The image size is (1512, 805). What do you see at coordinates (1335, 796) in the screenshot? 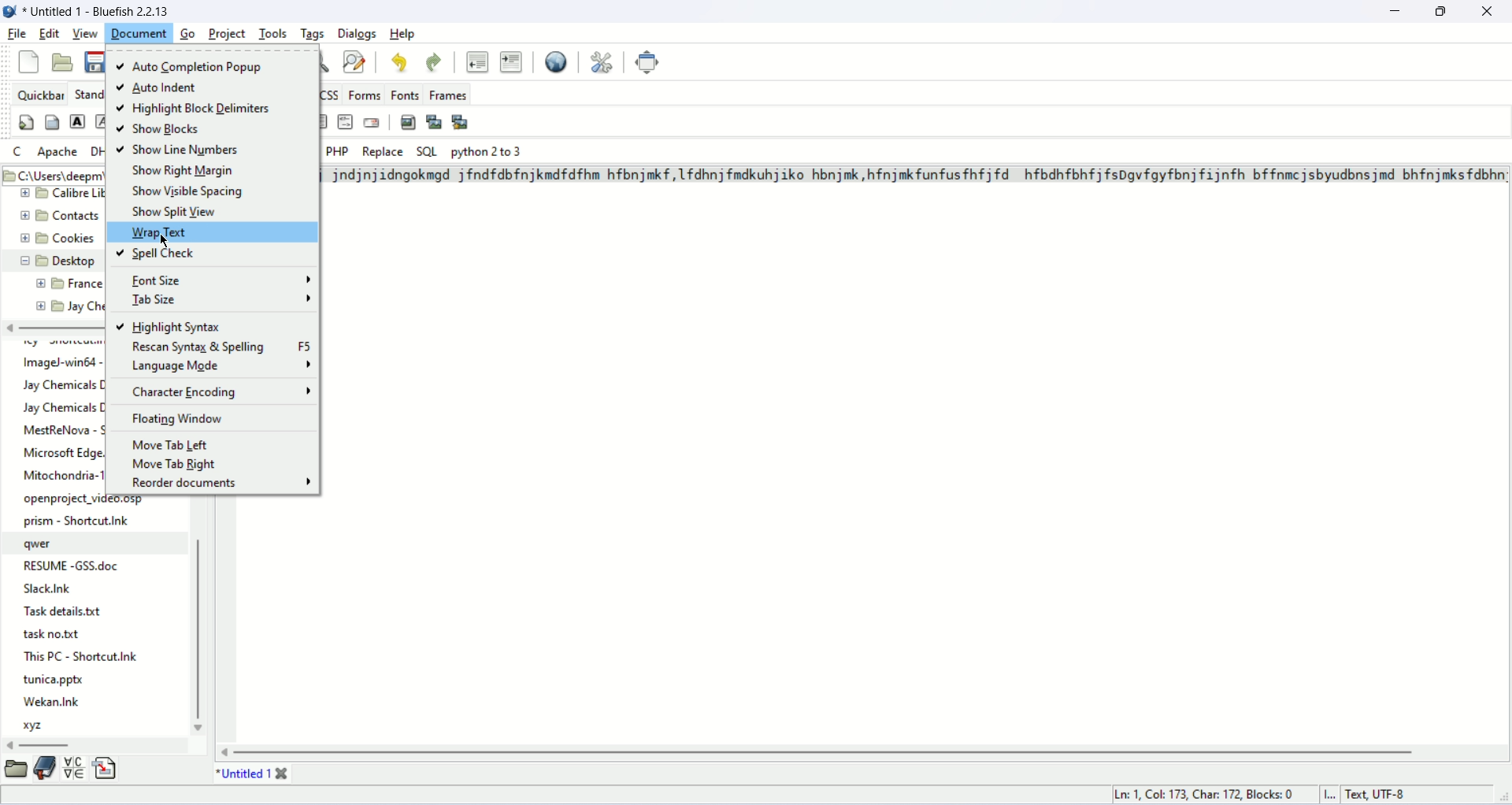
I see `I` at bounding box center [1335, 796].